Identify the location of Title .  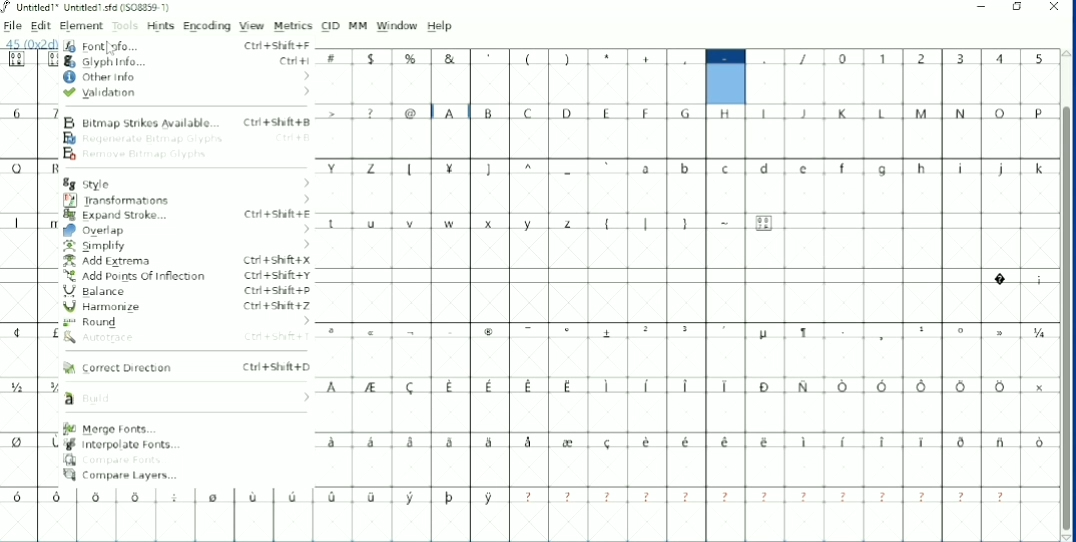
(89, 8).